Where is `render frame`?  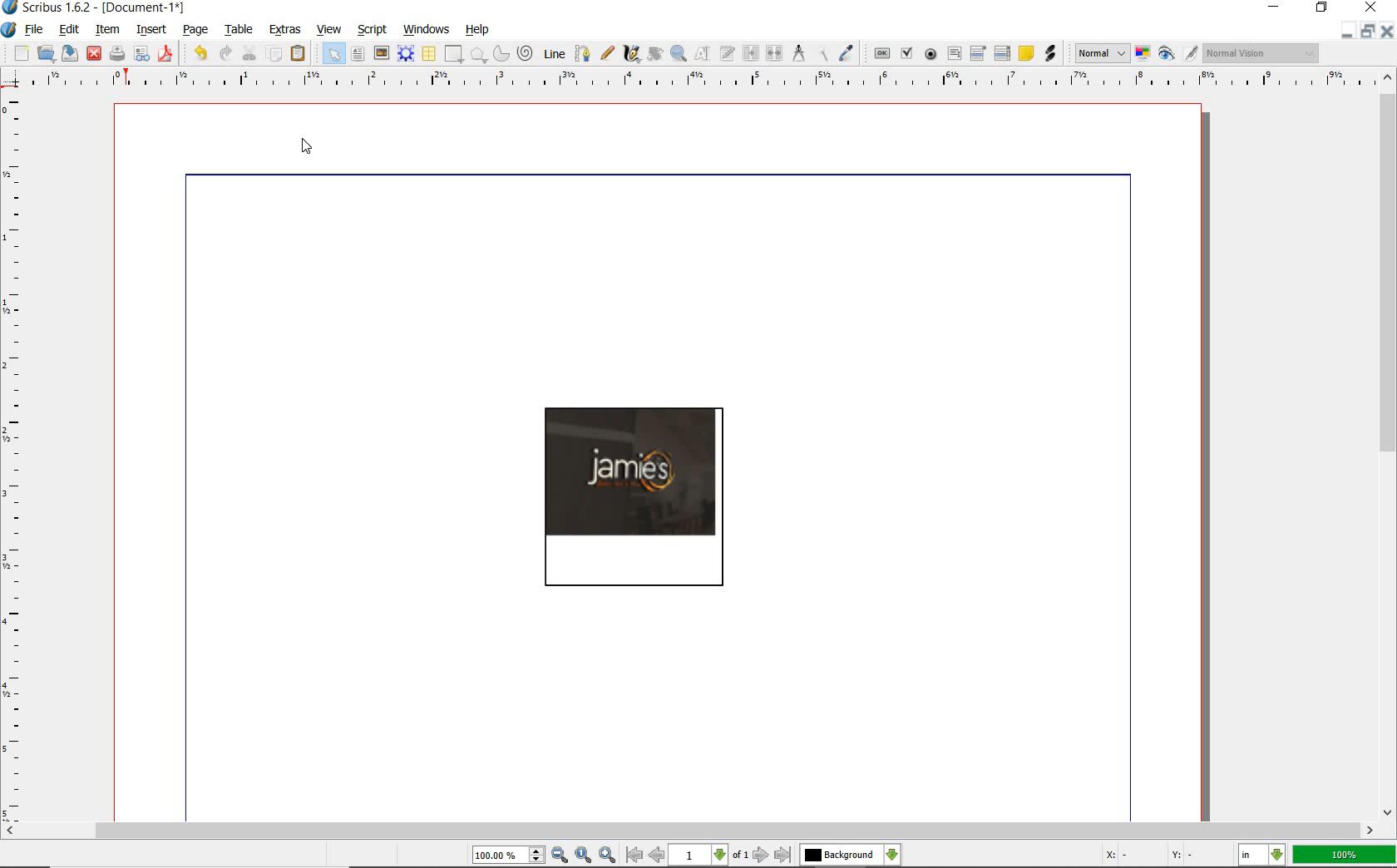 render frame is located at coordinates (407, 54).